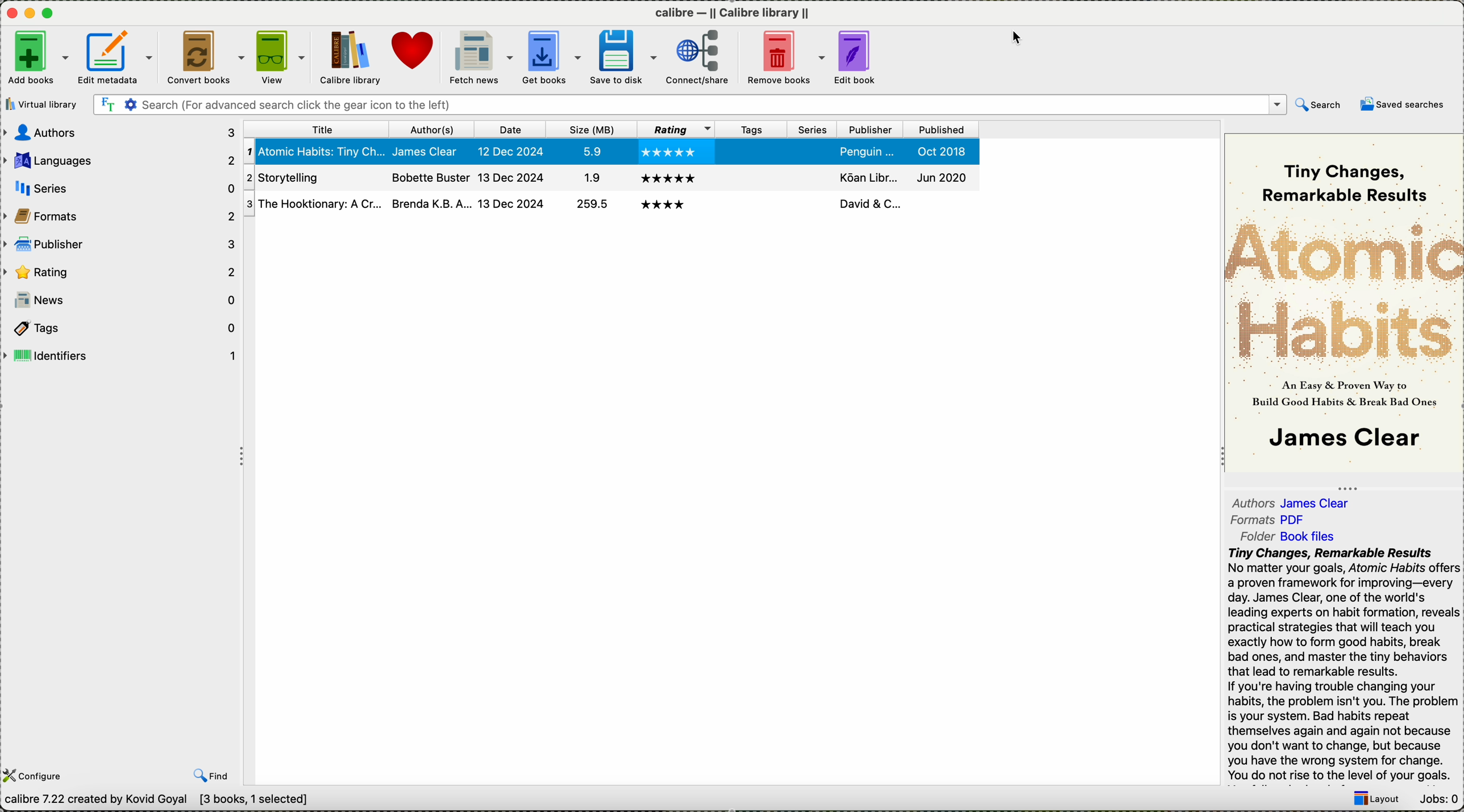 The image size is (1464, 812). I want to click on view, so click(282, 57).